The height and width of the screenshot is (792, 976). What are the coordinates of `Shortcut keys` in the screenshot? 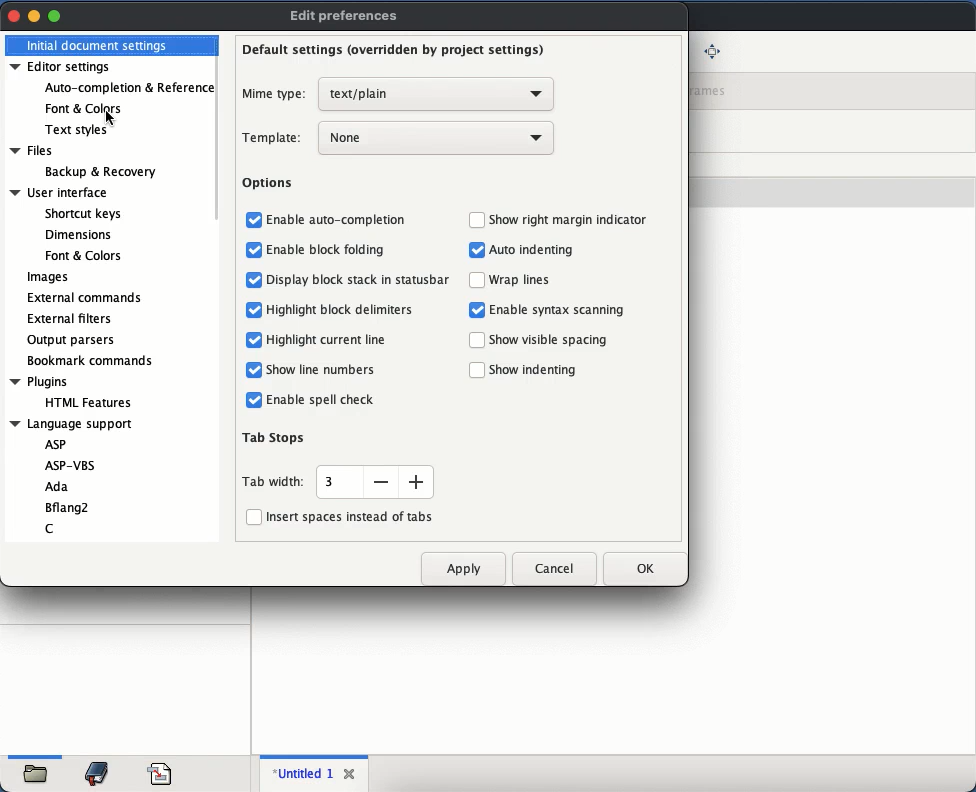 It's located at (82, 212).